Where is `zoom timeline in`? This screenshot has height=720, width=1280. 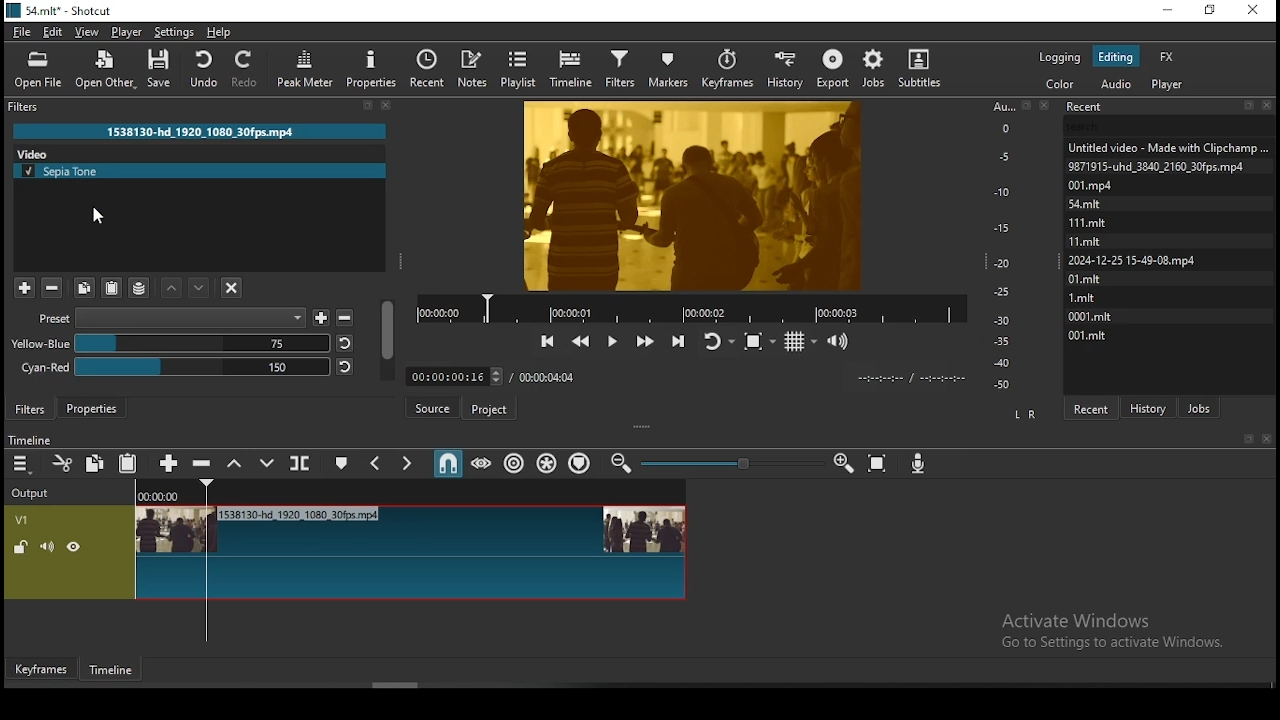
zoom timeline in is located at coordinates (622, 462).